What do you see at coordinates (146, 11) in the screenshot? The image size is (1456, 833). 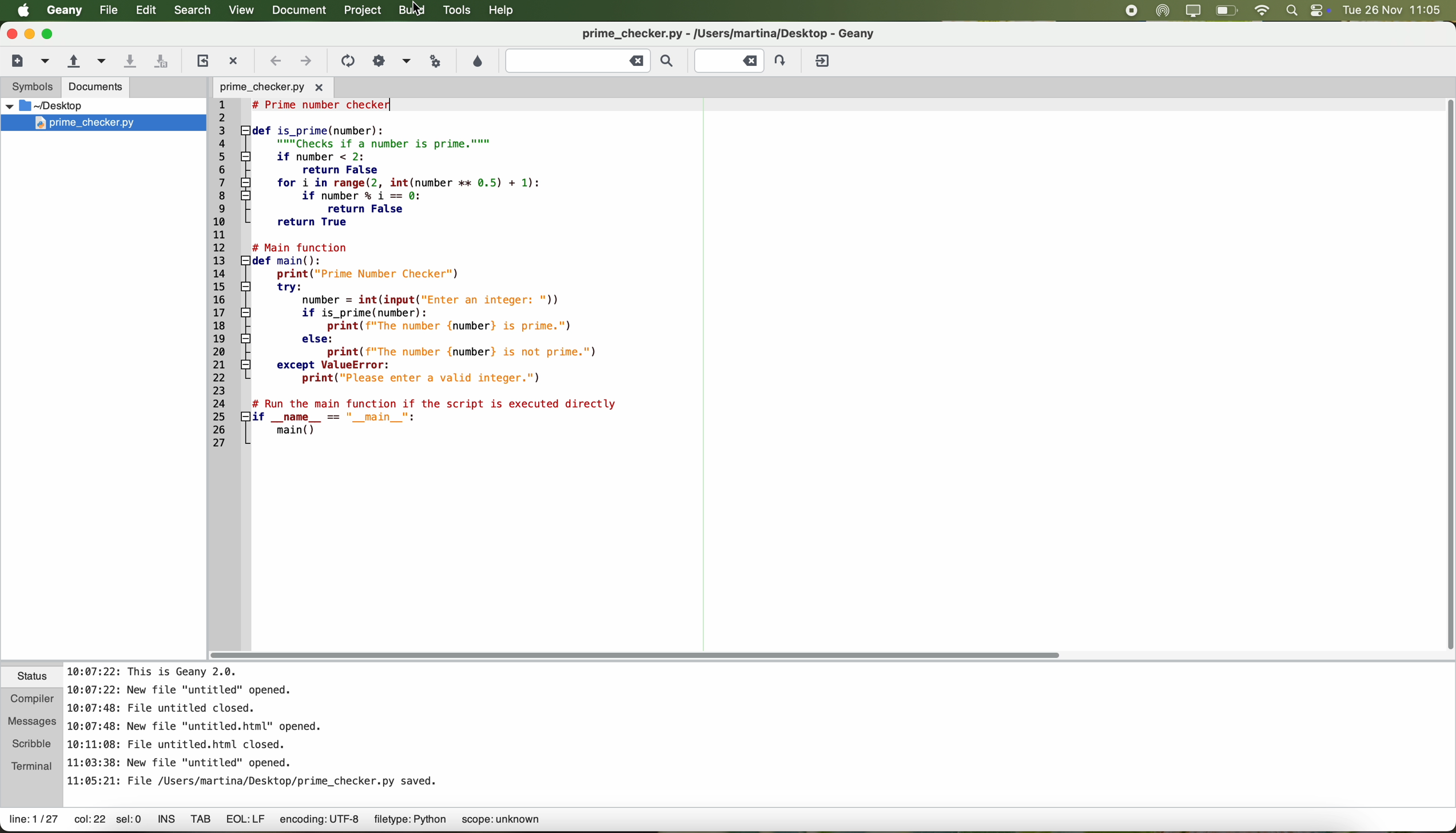 I see `edit` at bounding box center [146, 11].